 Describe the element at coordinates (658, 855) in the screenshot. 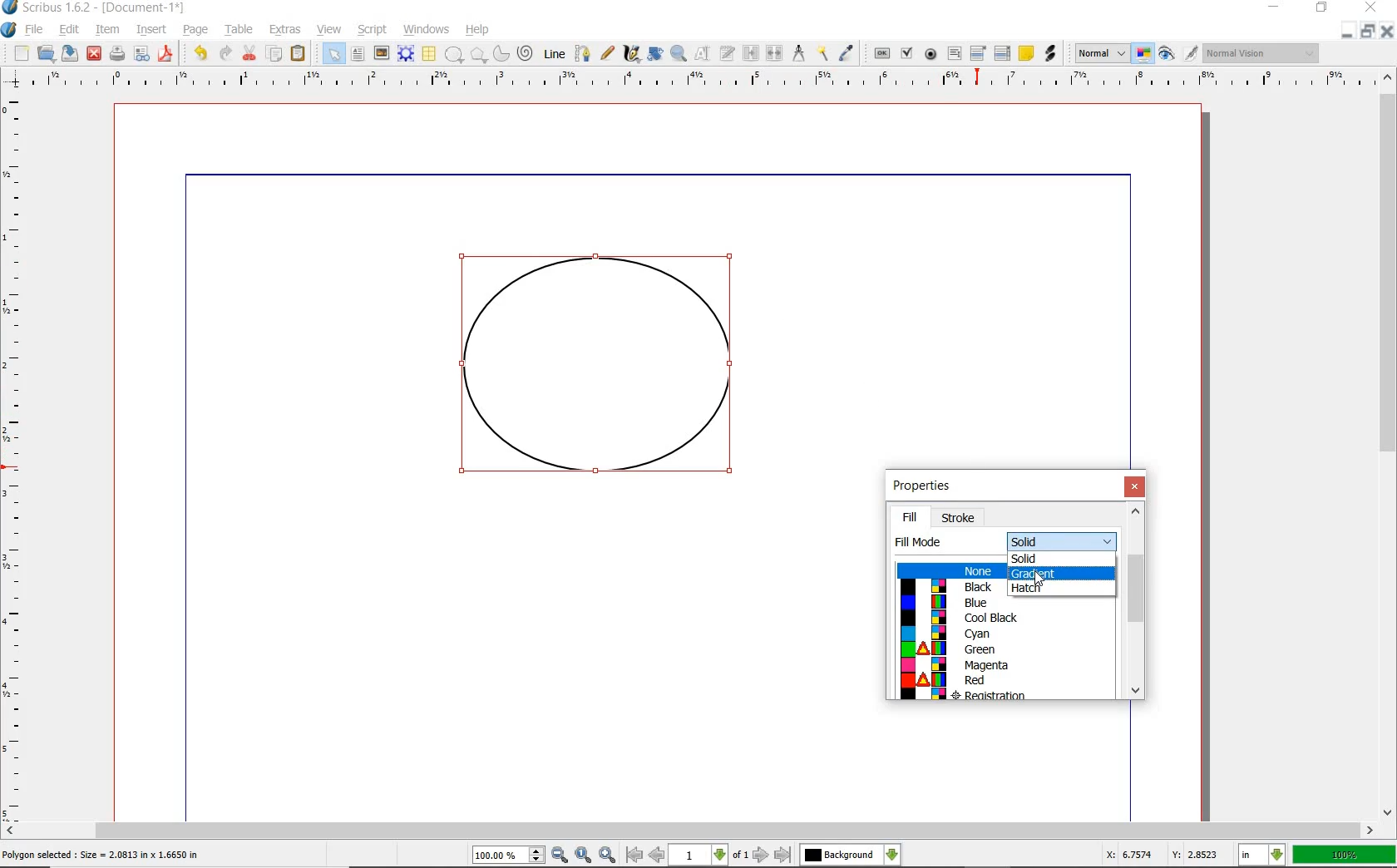

I see `previous` at that location.